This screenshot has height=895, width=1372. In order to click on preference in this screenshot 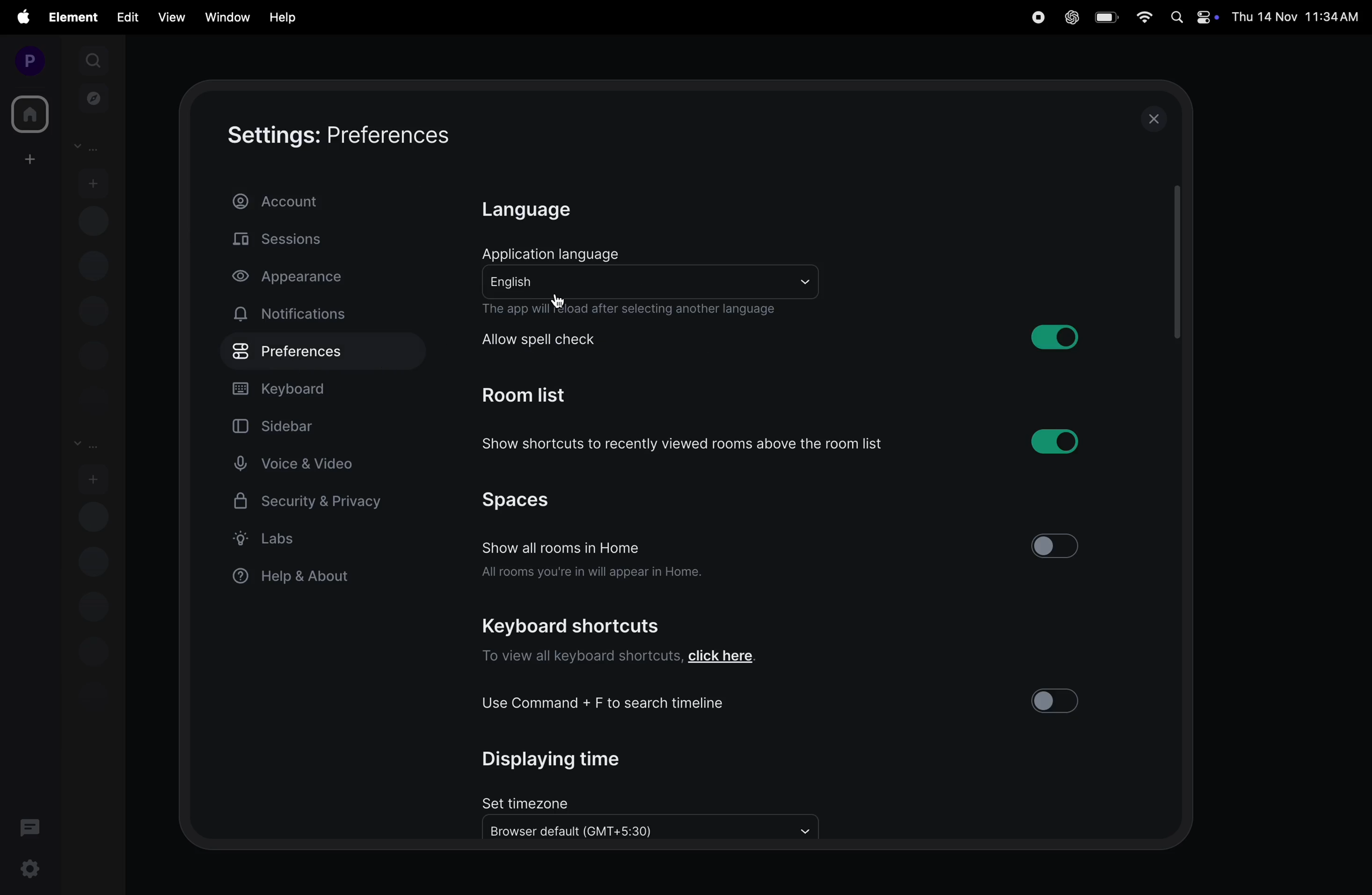, I will do `click(299, 354)`.